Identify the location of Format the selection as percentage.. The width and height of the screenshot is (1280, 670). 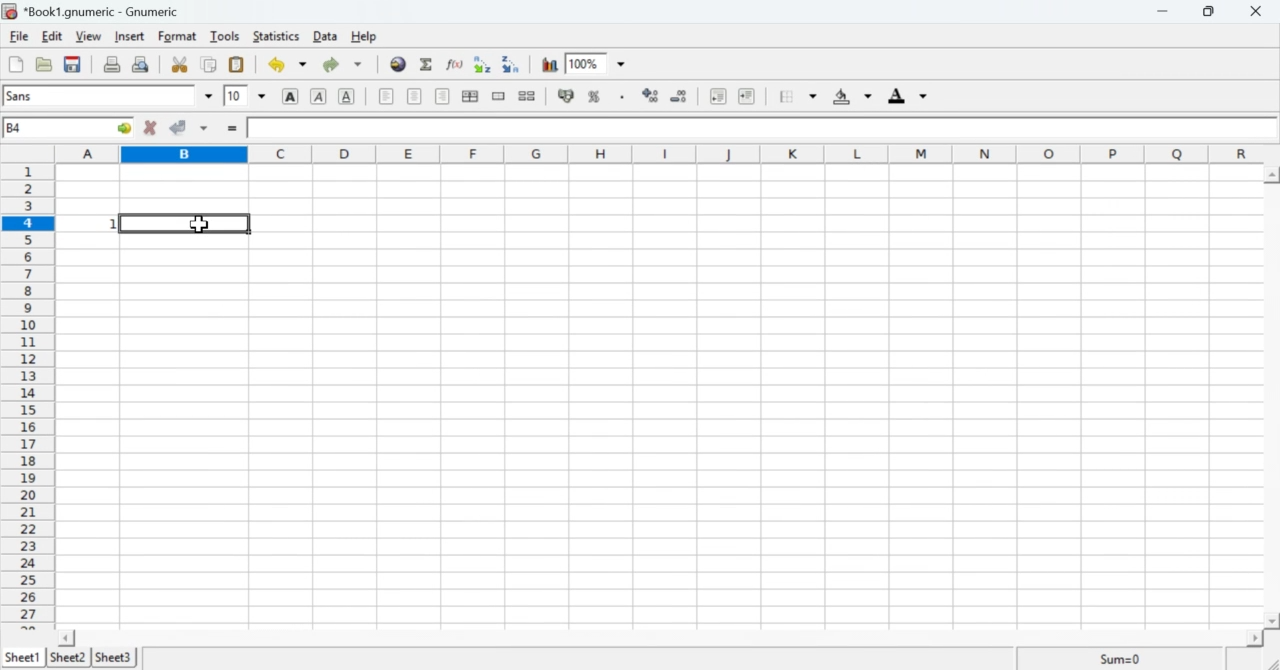
(597, 97).